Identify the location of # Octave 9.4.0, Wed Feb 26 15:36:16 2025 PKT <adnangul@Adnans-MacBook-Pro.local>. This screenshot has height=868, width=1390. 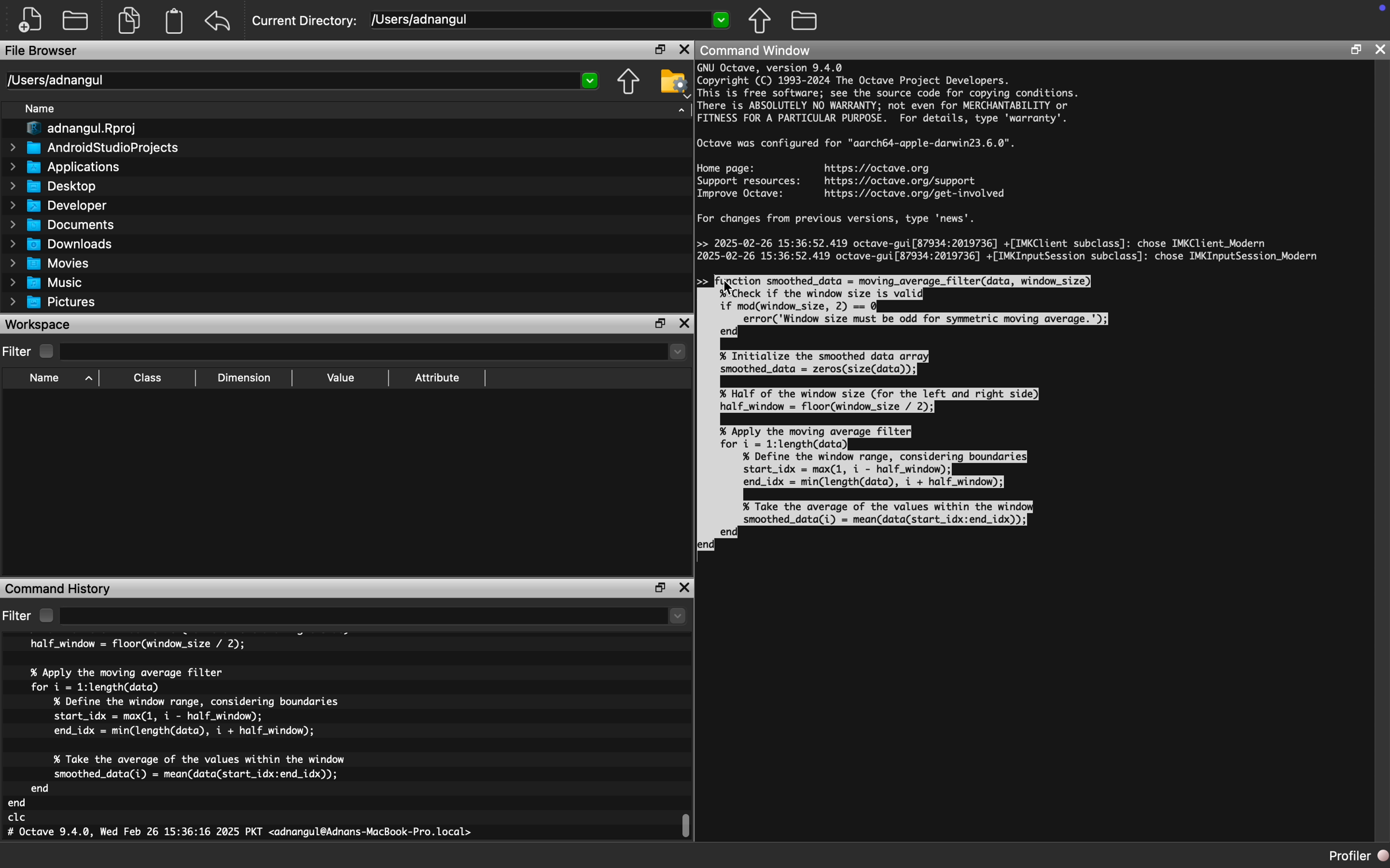
(241, 834).